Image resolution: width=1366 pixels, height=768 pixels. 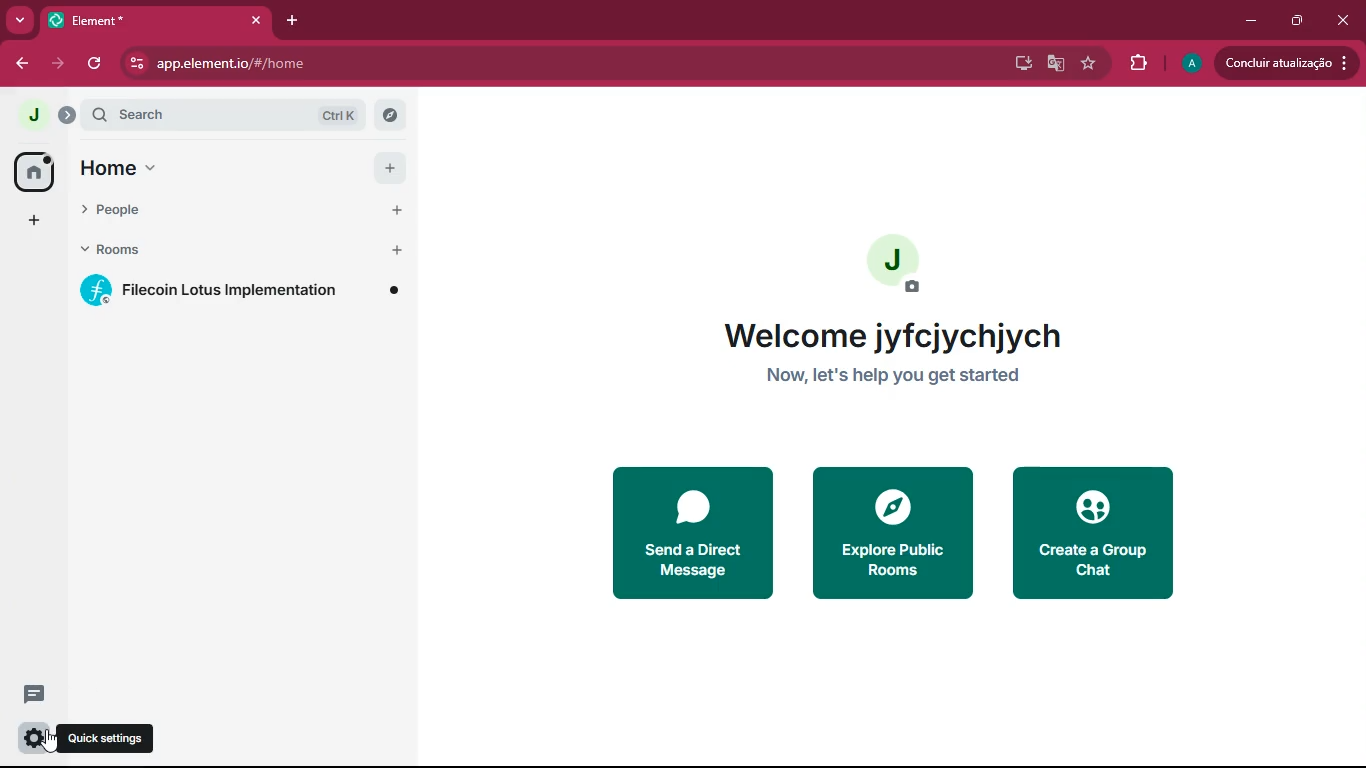 What do you see at coordinates (94, 65) in the screenshot?
I see `refresh` at bounding box center [94, 65].